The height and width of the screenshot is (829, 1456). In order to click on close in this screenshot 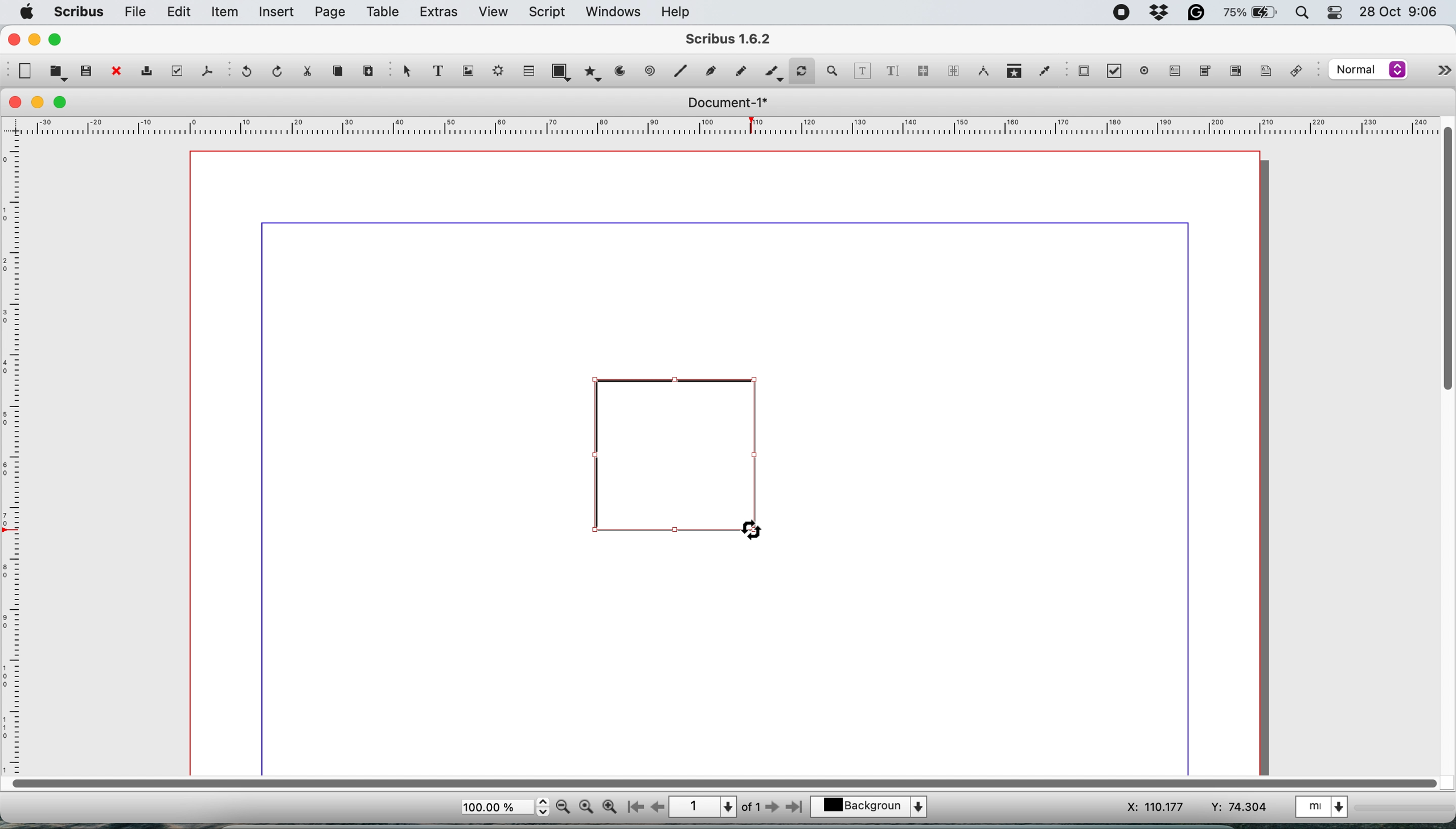, I will do `click(116, 72)`.